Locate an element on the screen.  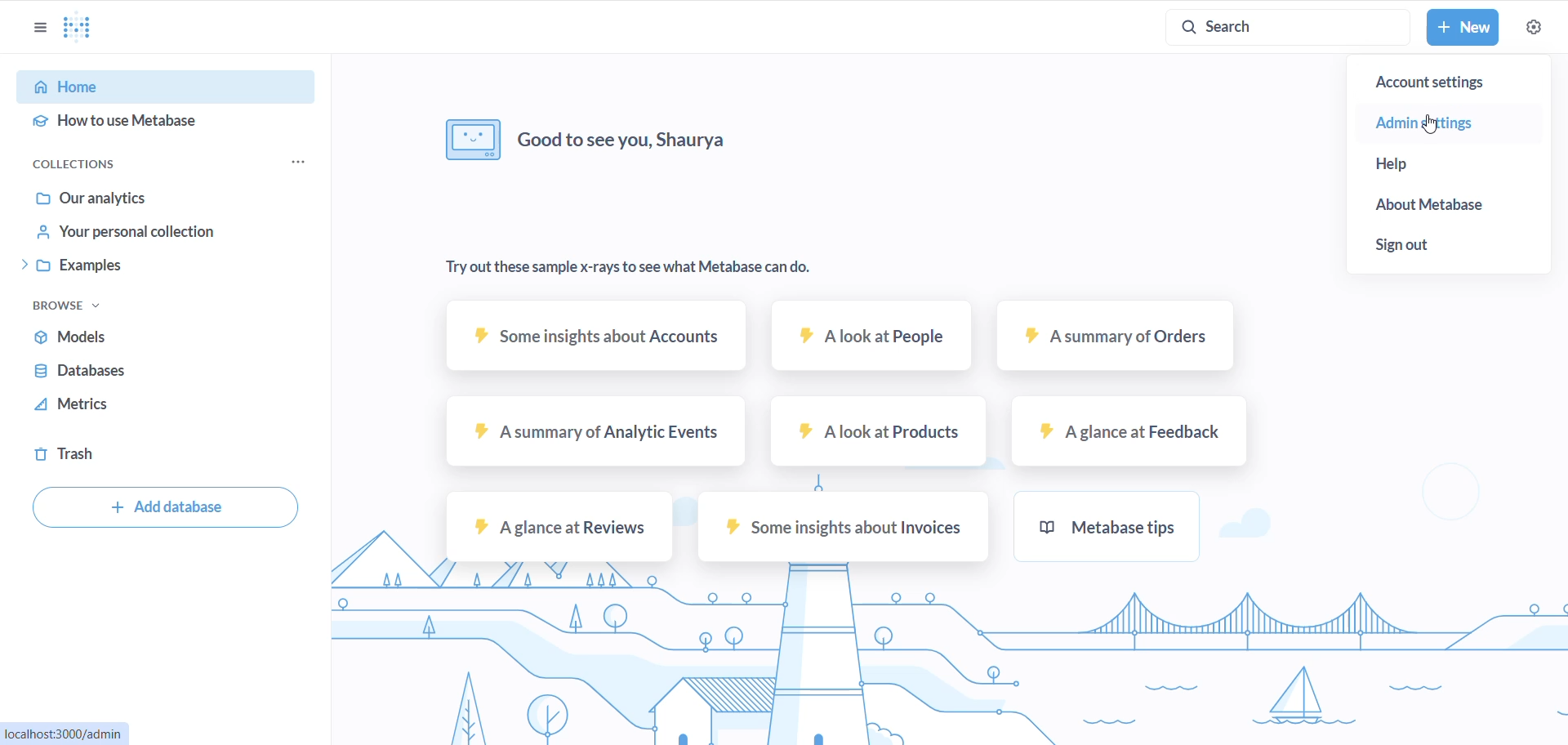
account setting is located at coordinates (1449, 83).